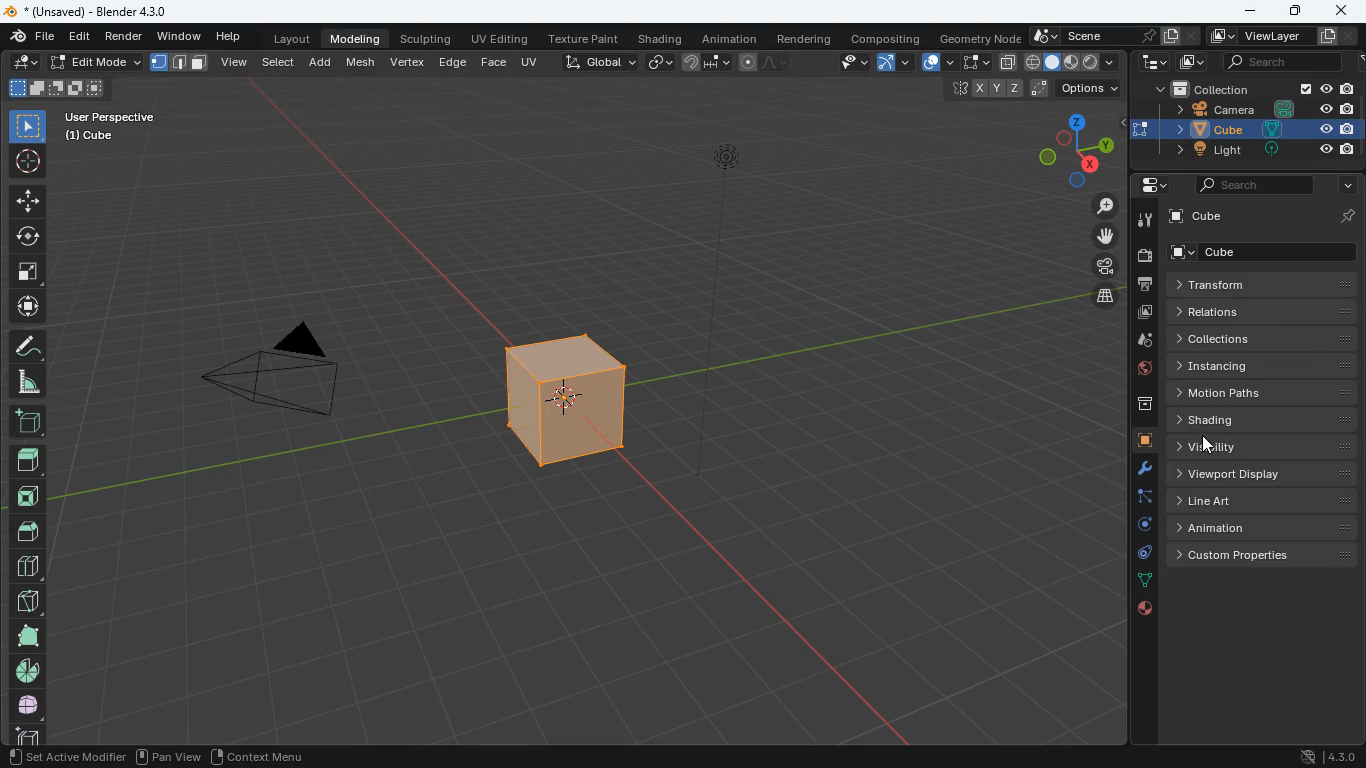  What do you see at coordinates (733, 38) in the screenshot?
I see `animation` at bounding box center [733, 38].